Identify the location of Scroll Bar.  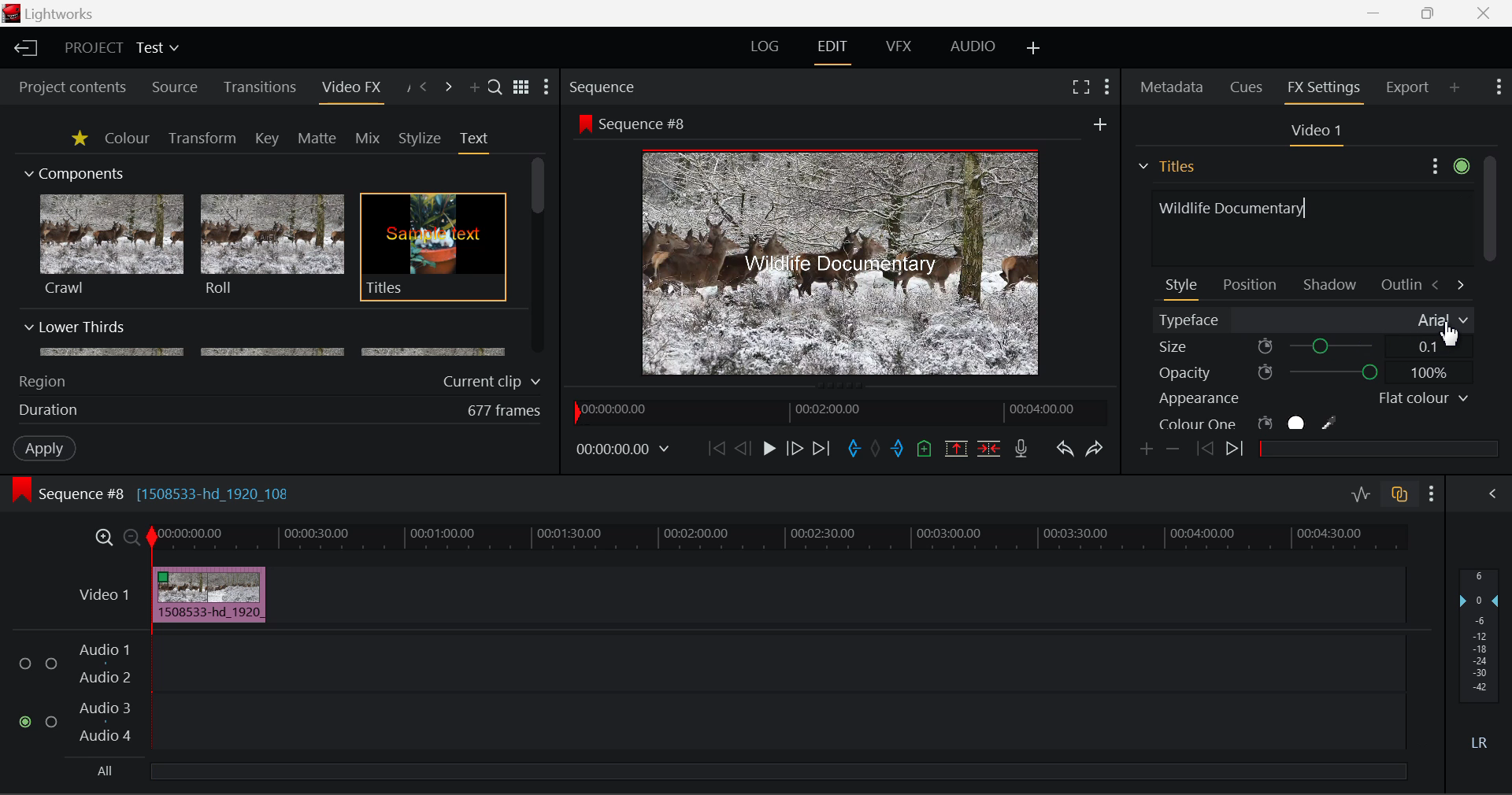
(539, 257).